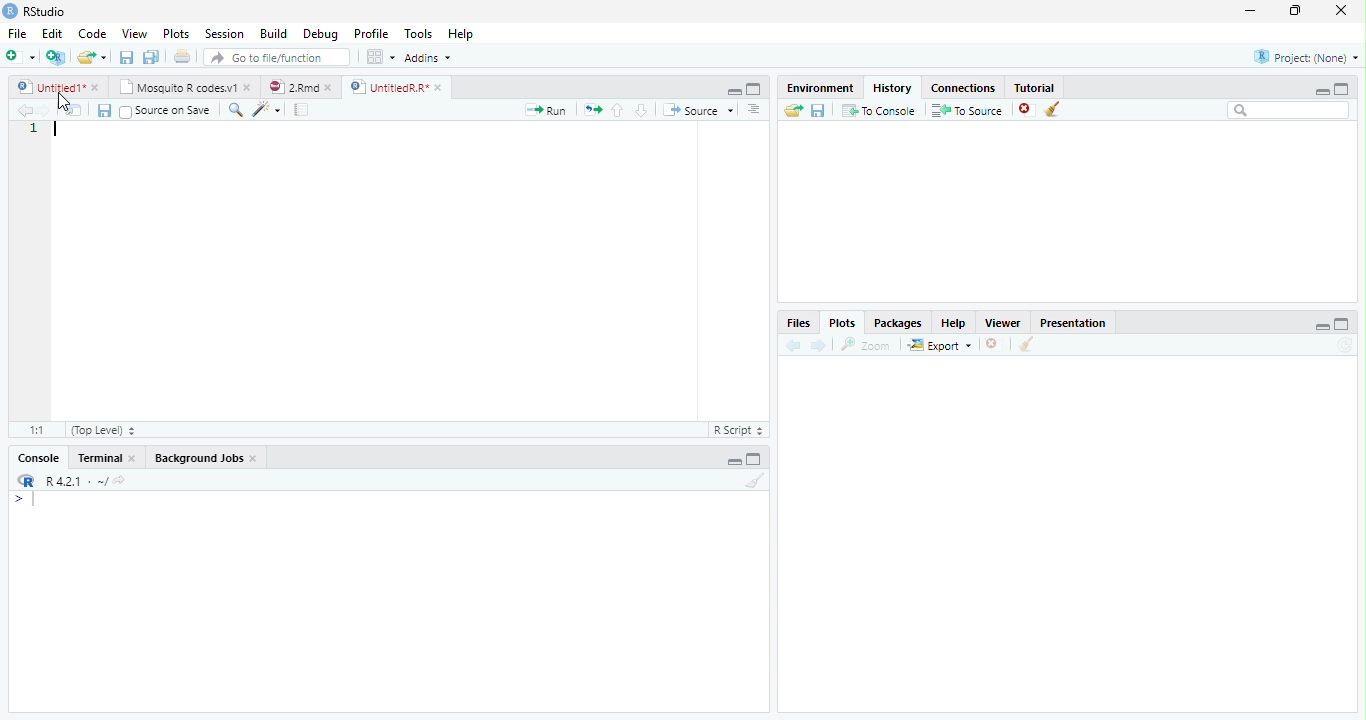 Image resolution: width=1366 pixels, height=720 pixels. Describe the element at coordinates (1053, 109) in the screenshot. I see `Clear all history entries` at that location.